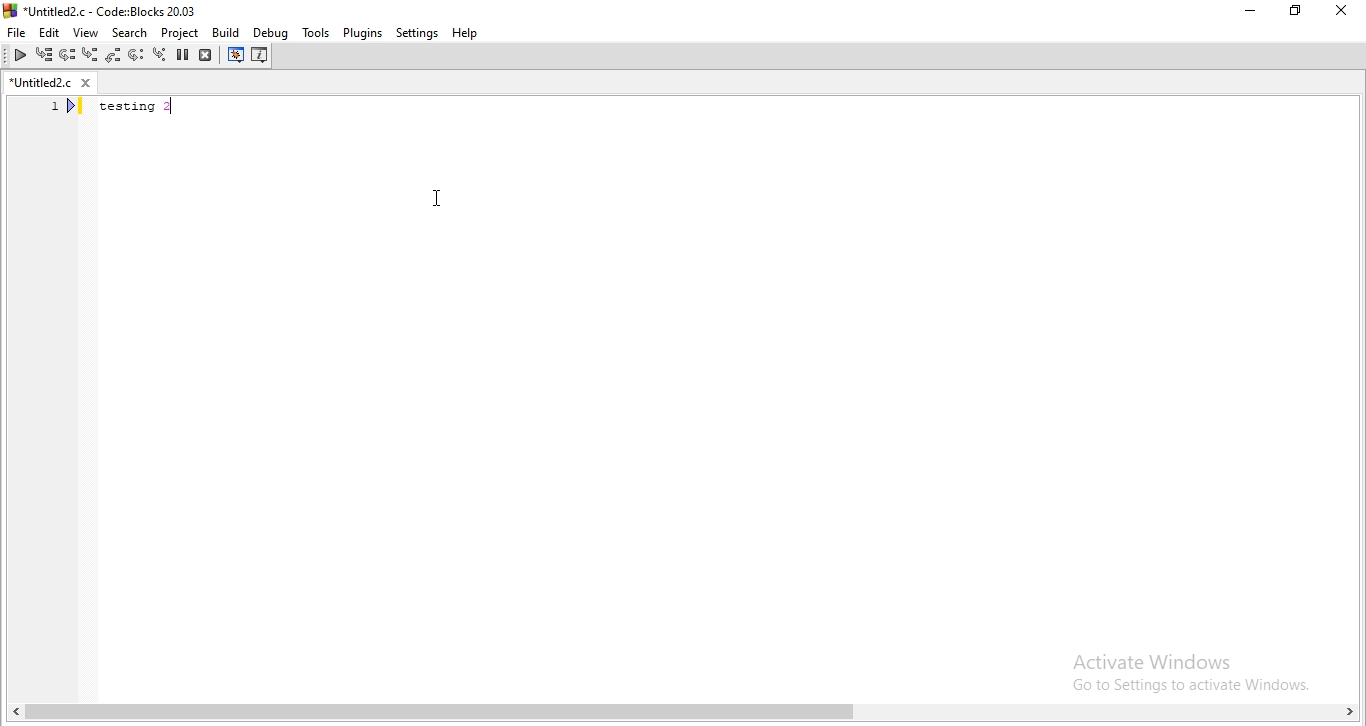 The height and width of the screenshot is (726, 1366). I want to click on Search , so click(126, 34).